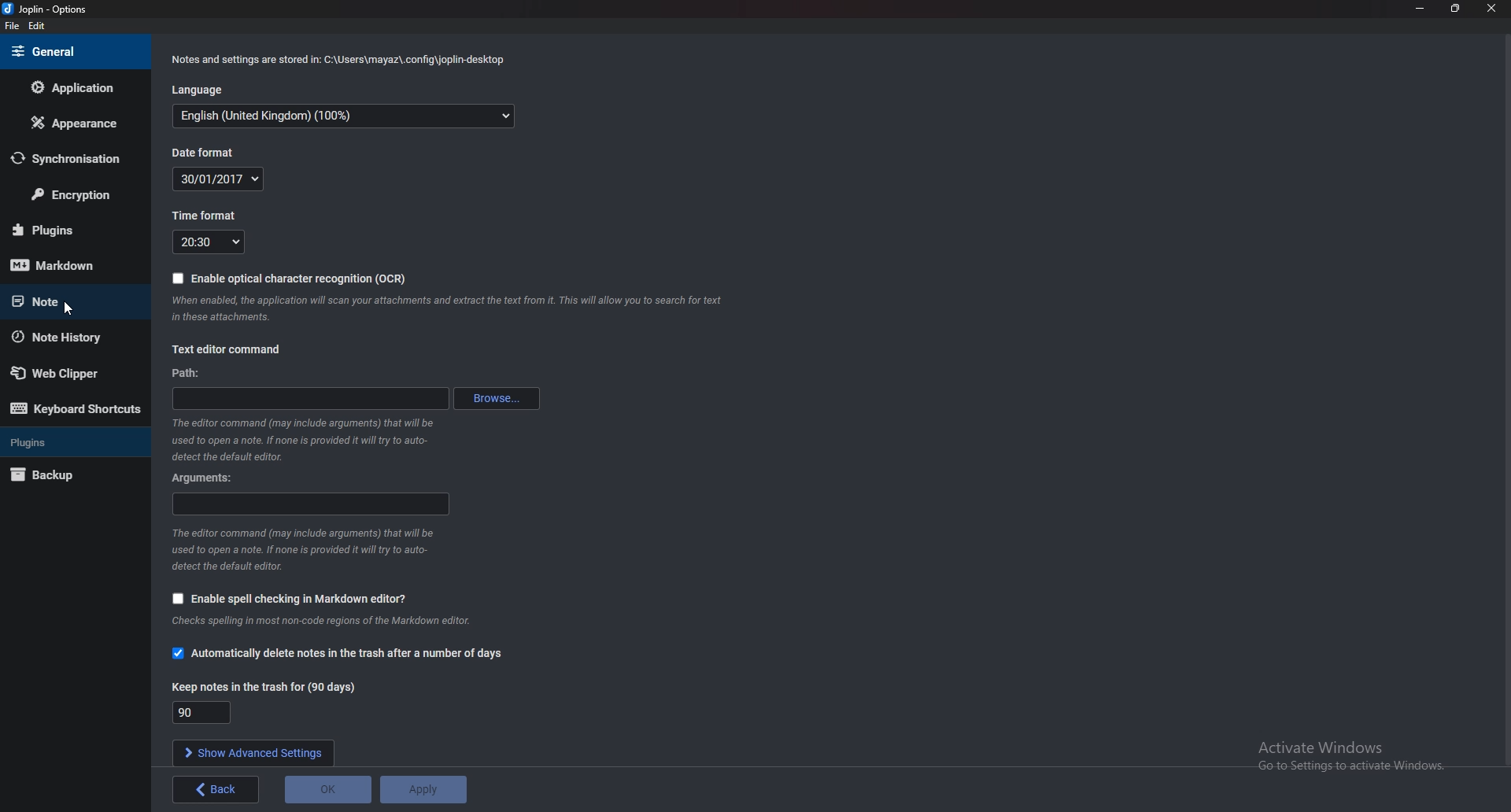  Describe the element at coordinates (303, 279) in the screenshot. I see `Enable OCr` at that location.